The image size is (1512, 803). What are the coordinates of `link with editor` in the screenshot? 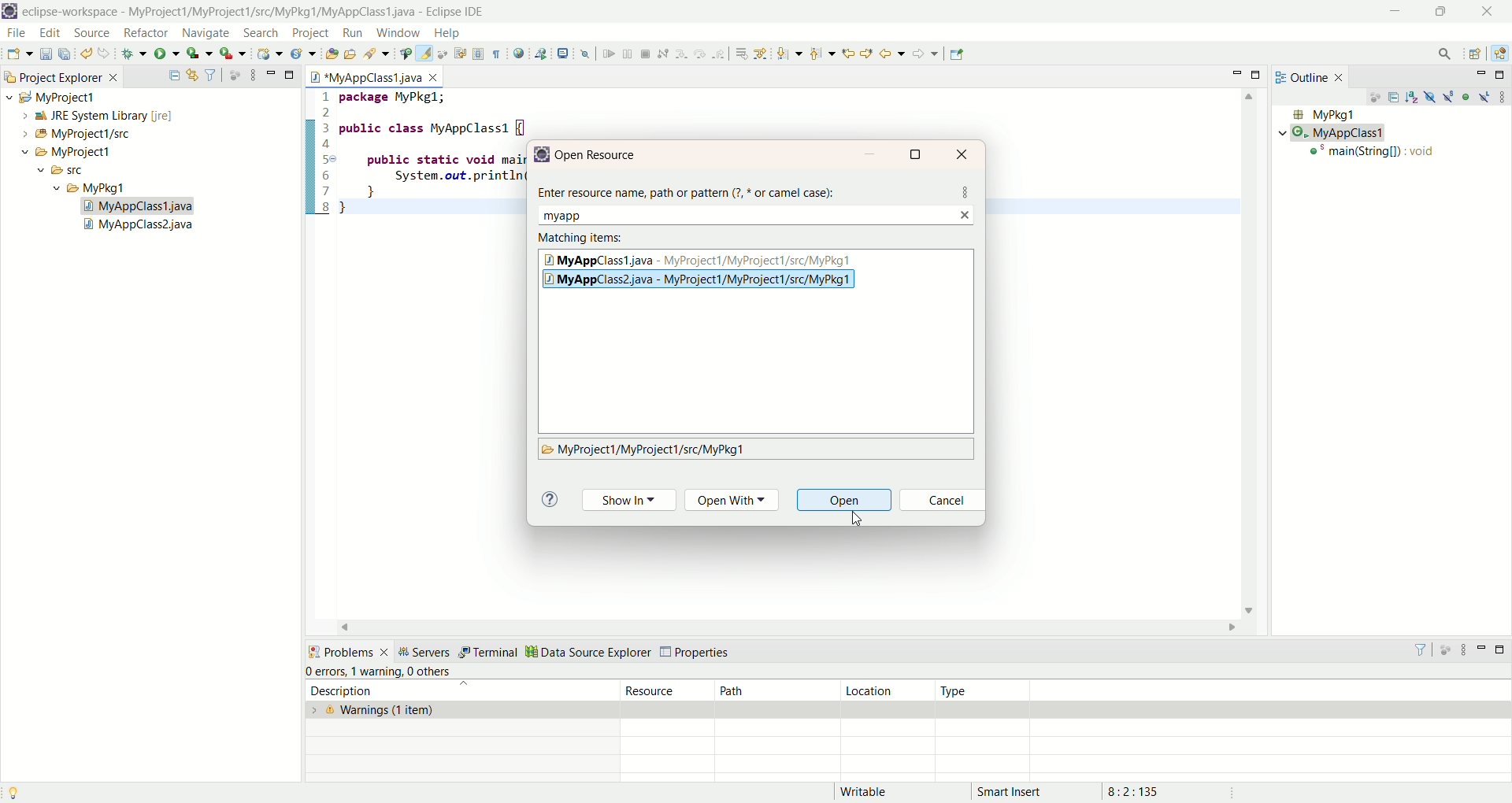 It's located at (193, 75).